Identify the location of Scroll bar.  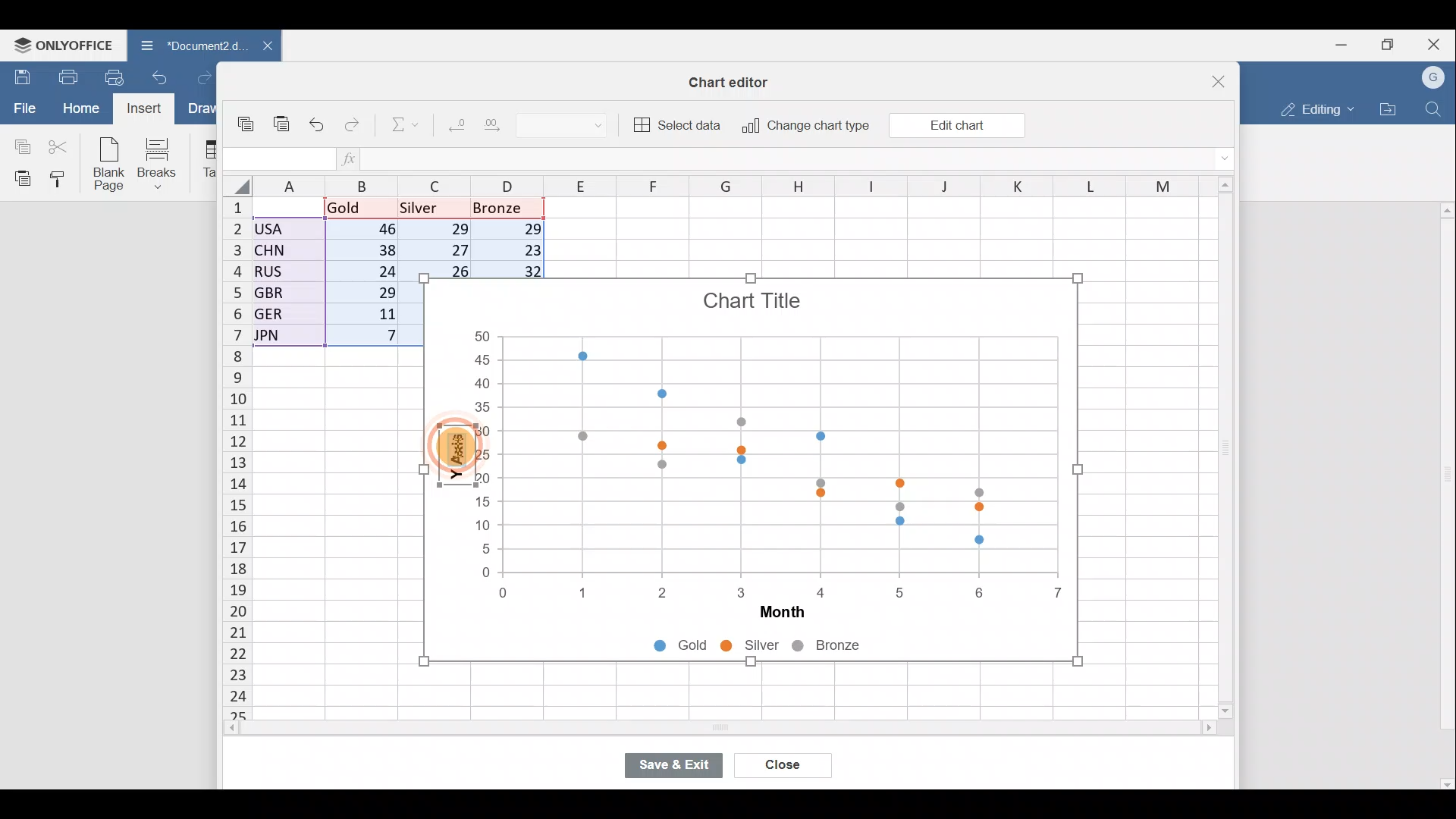
(688, 730).